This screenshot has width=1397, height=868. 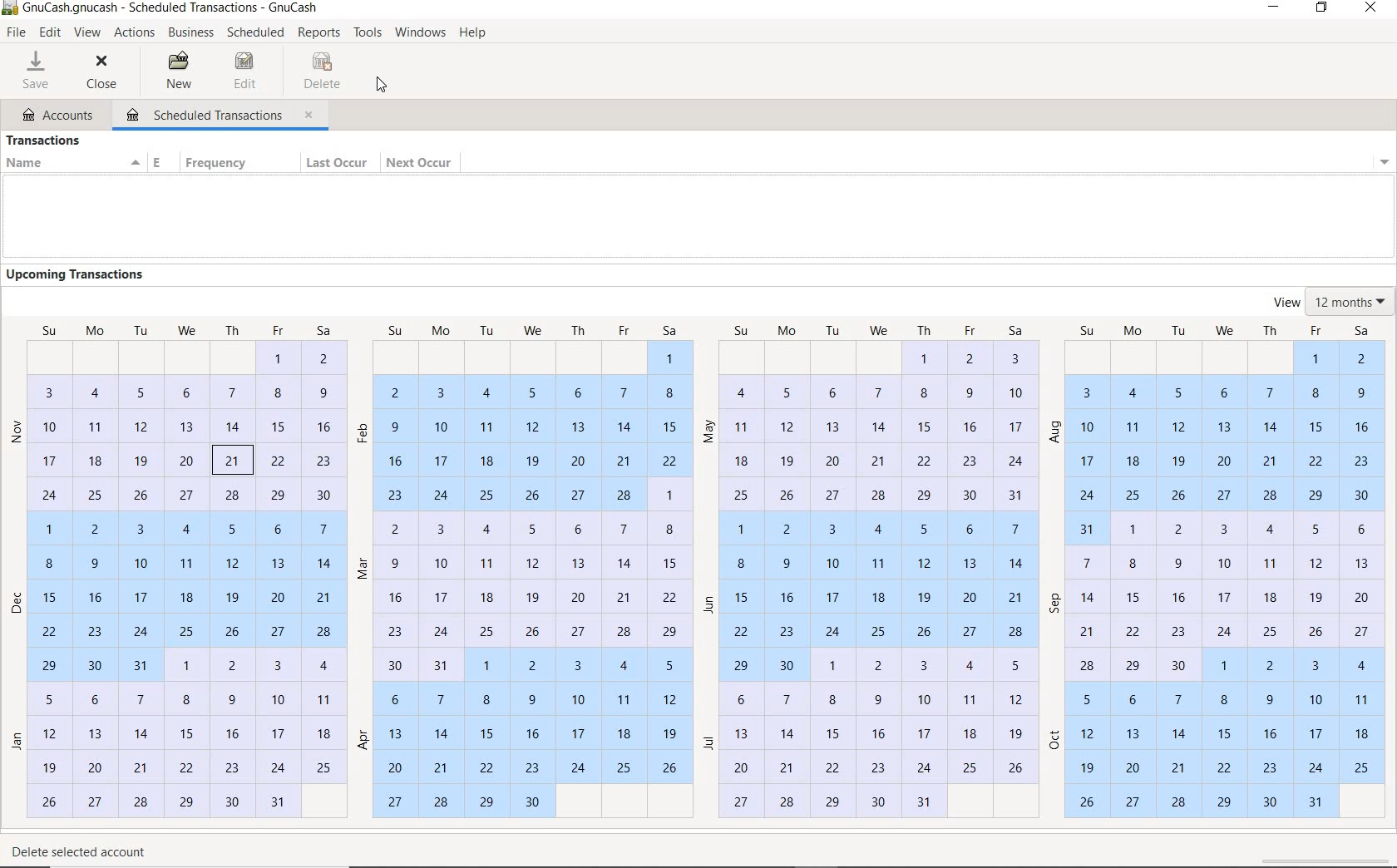 I want to click on ACTIONS, so click(x=135, y=35).